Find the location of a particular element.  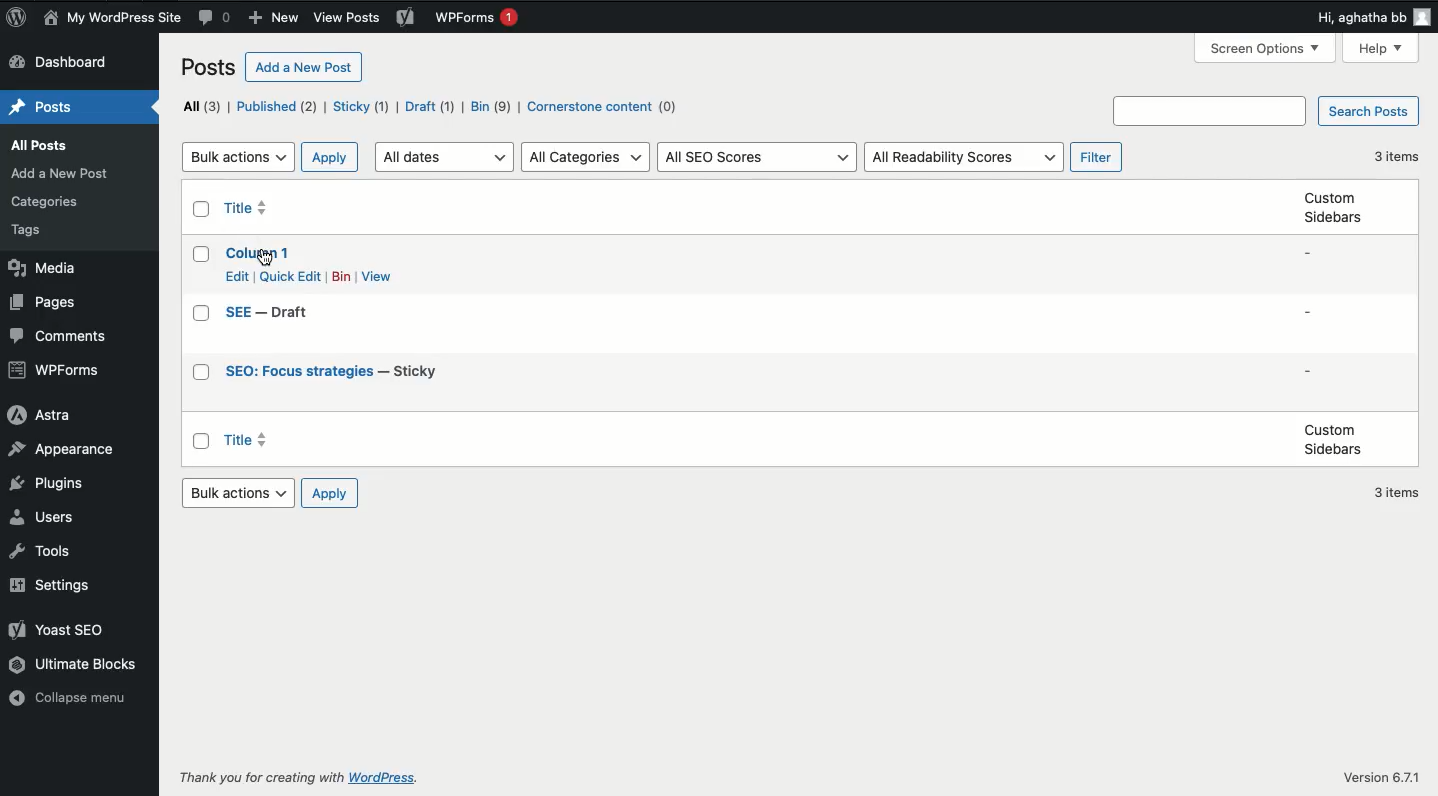

Cornerstone content is located at coordinates (606, 108).